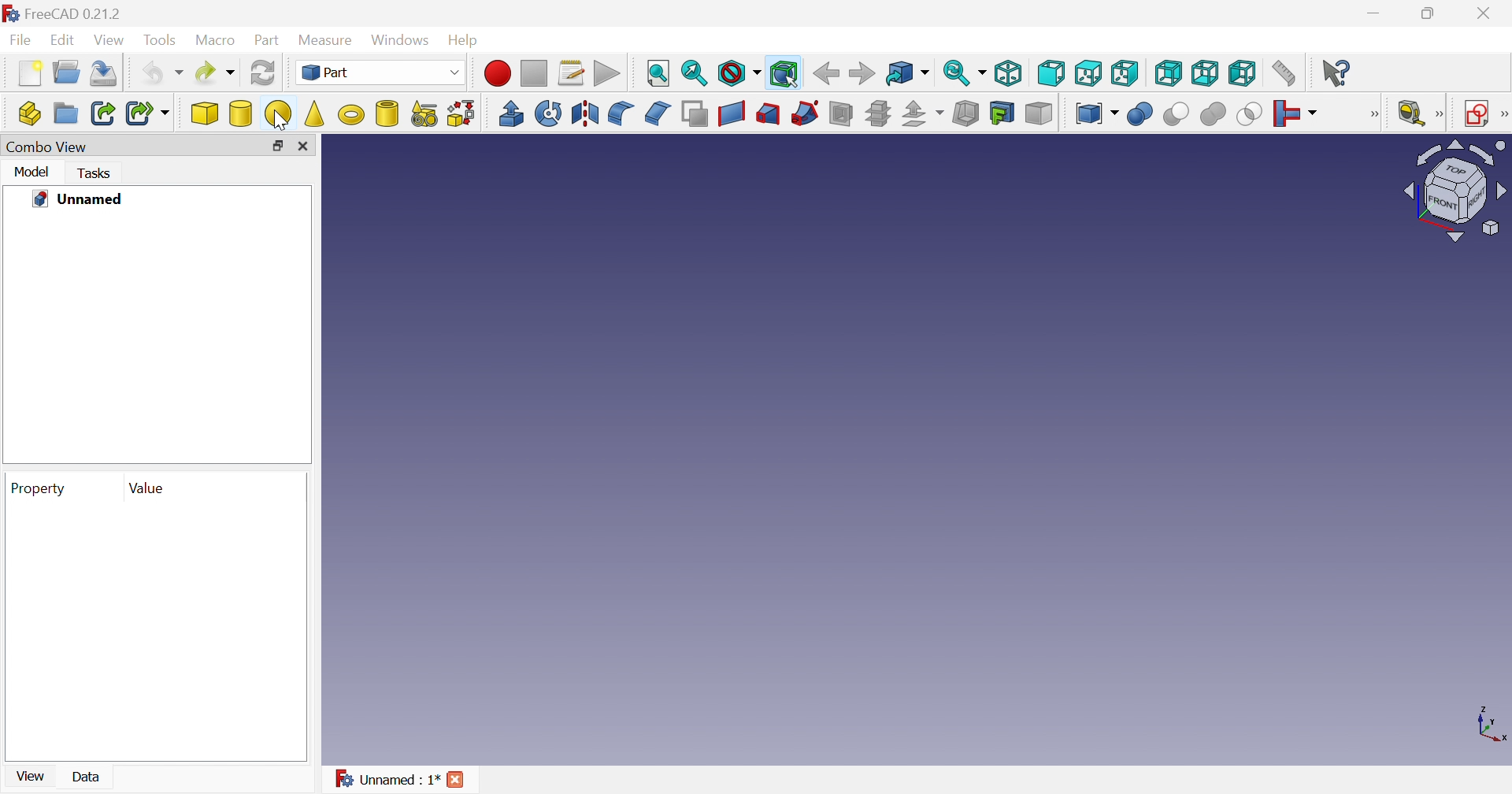  What do you see at coordinates (842, 113) in the screenshot?
I see `Section` at bounding box center [842, 113].